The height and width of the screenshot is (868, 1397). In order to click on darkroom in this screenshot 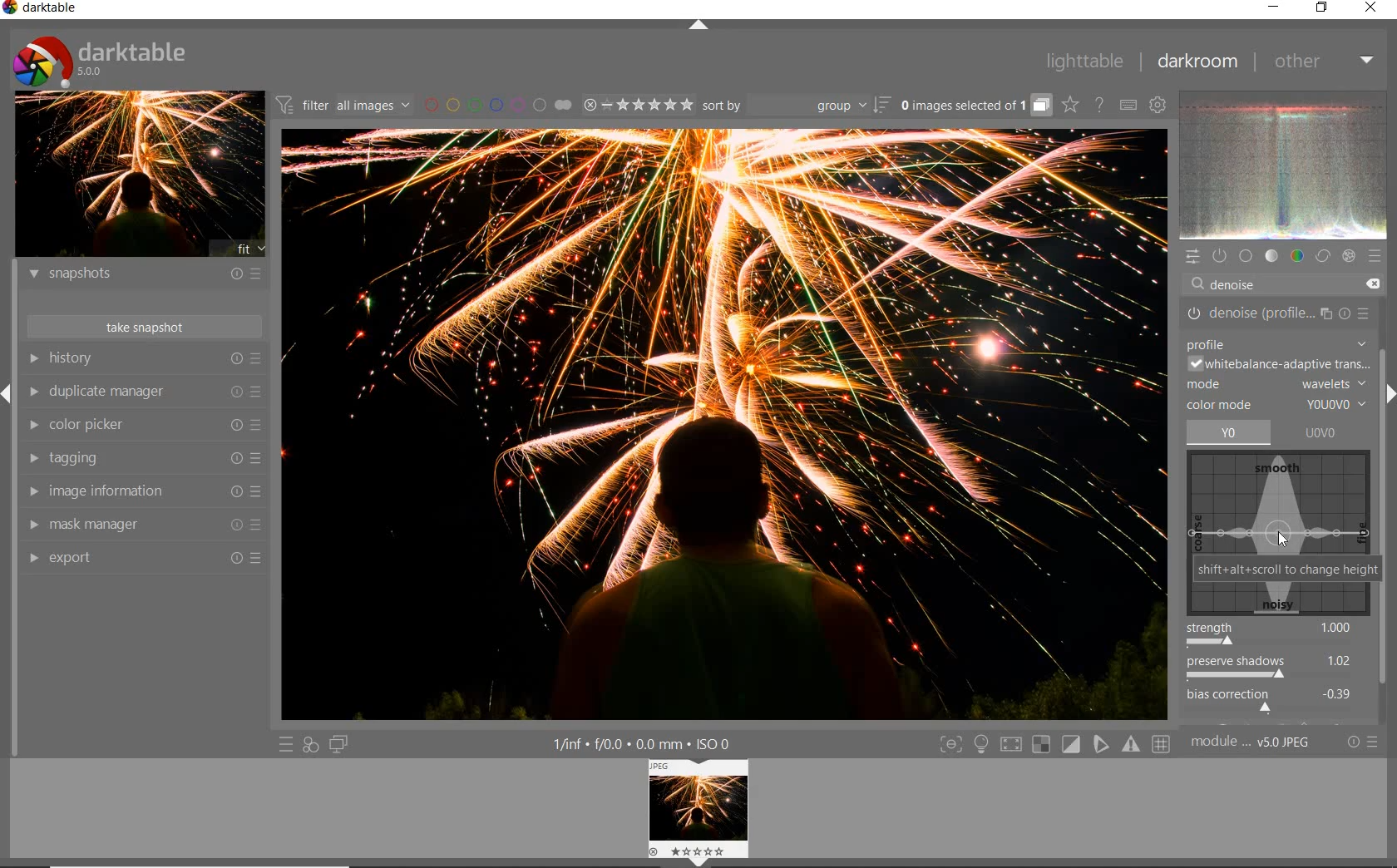, I will do `click(1196, 62)`.